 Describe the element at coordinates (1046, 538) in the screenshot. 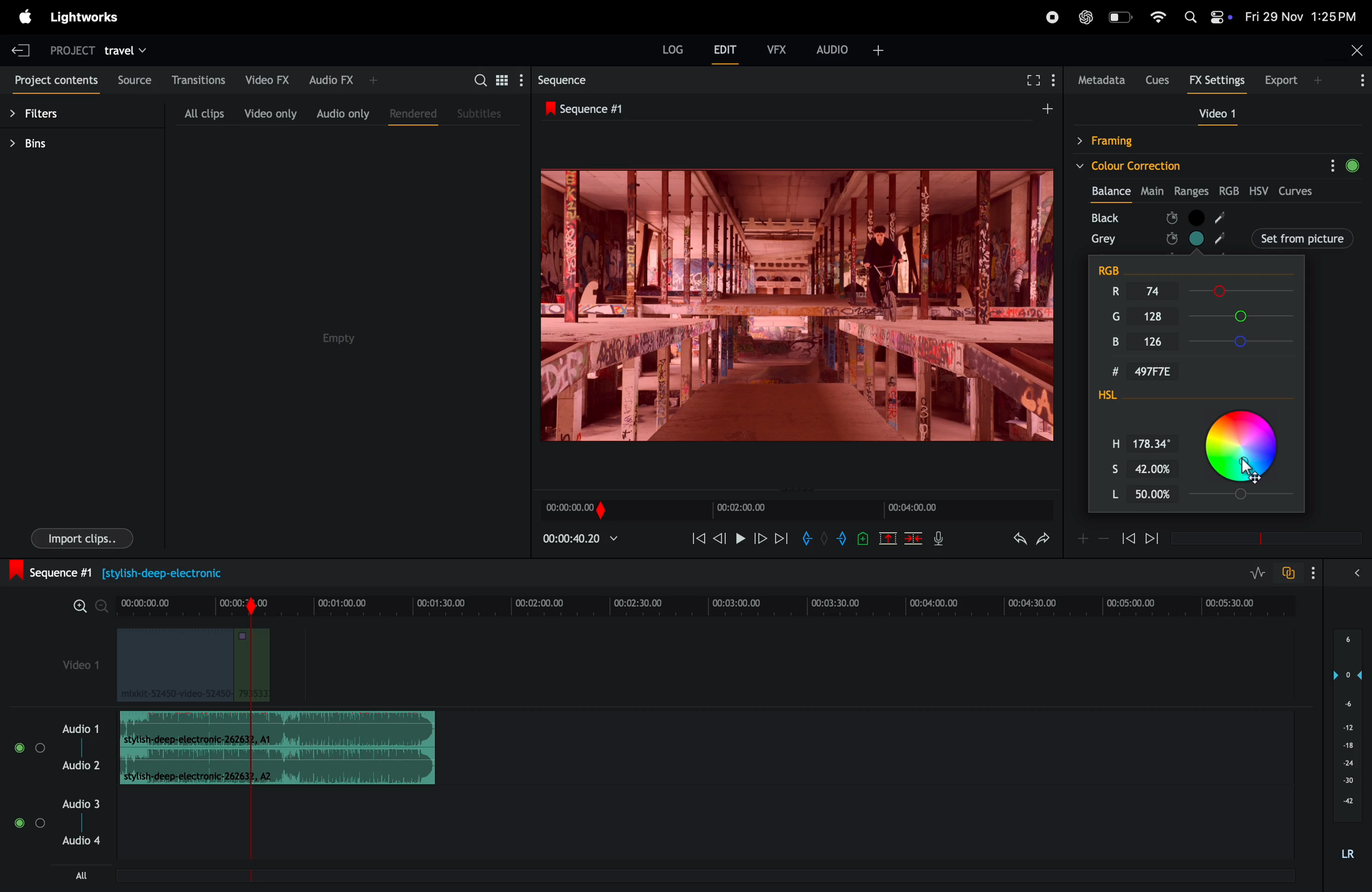

I see `redo` at that location.